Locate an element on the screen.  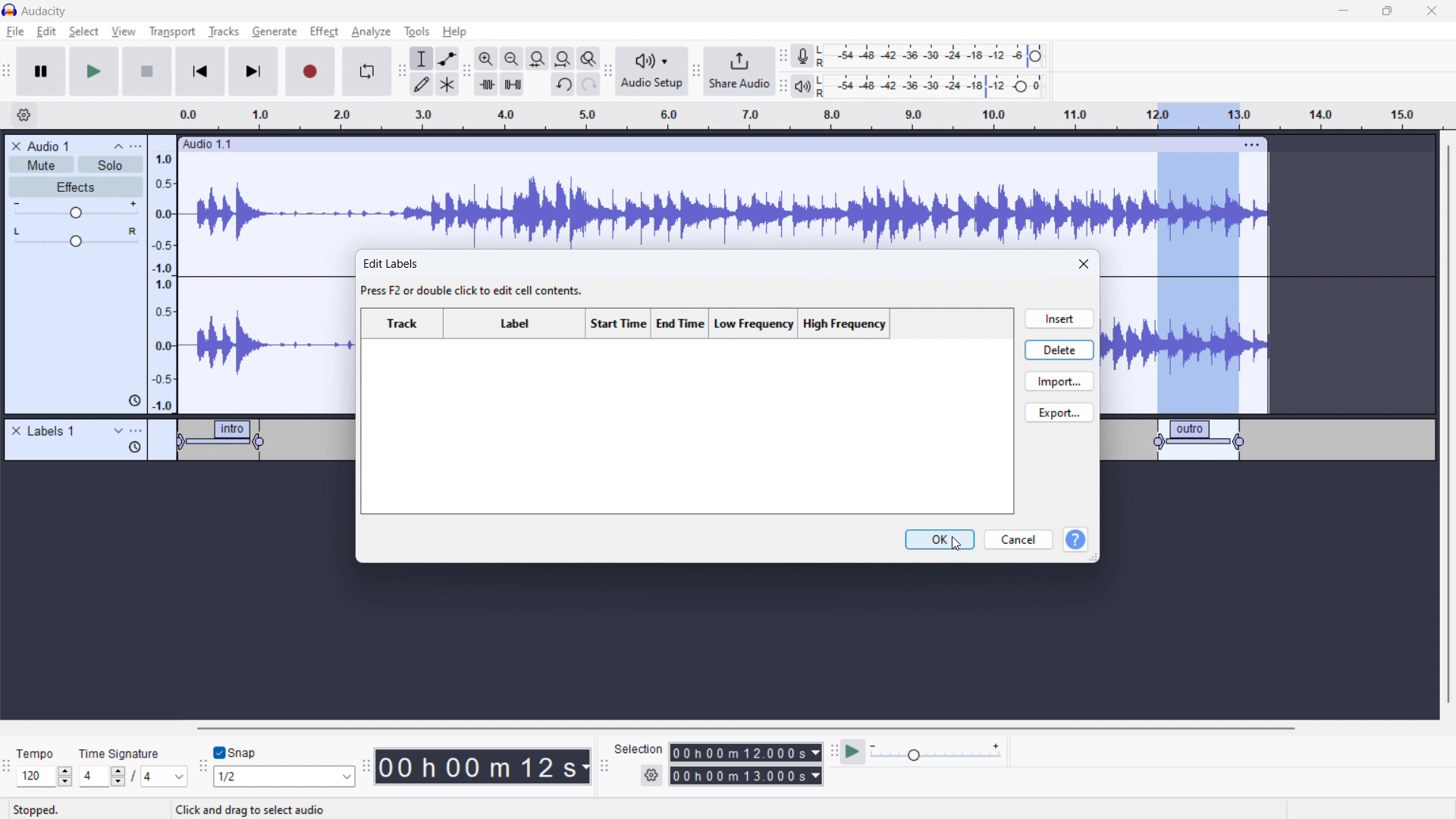
transport is located at coordinates (172, 31).